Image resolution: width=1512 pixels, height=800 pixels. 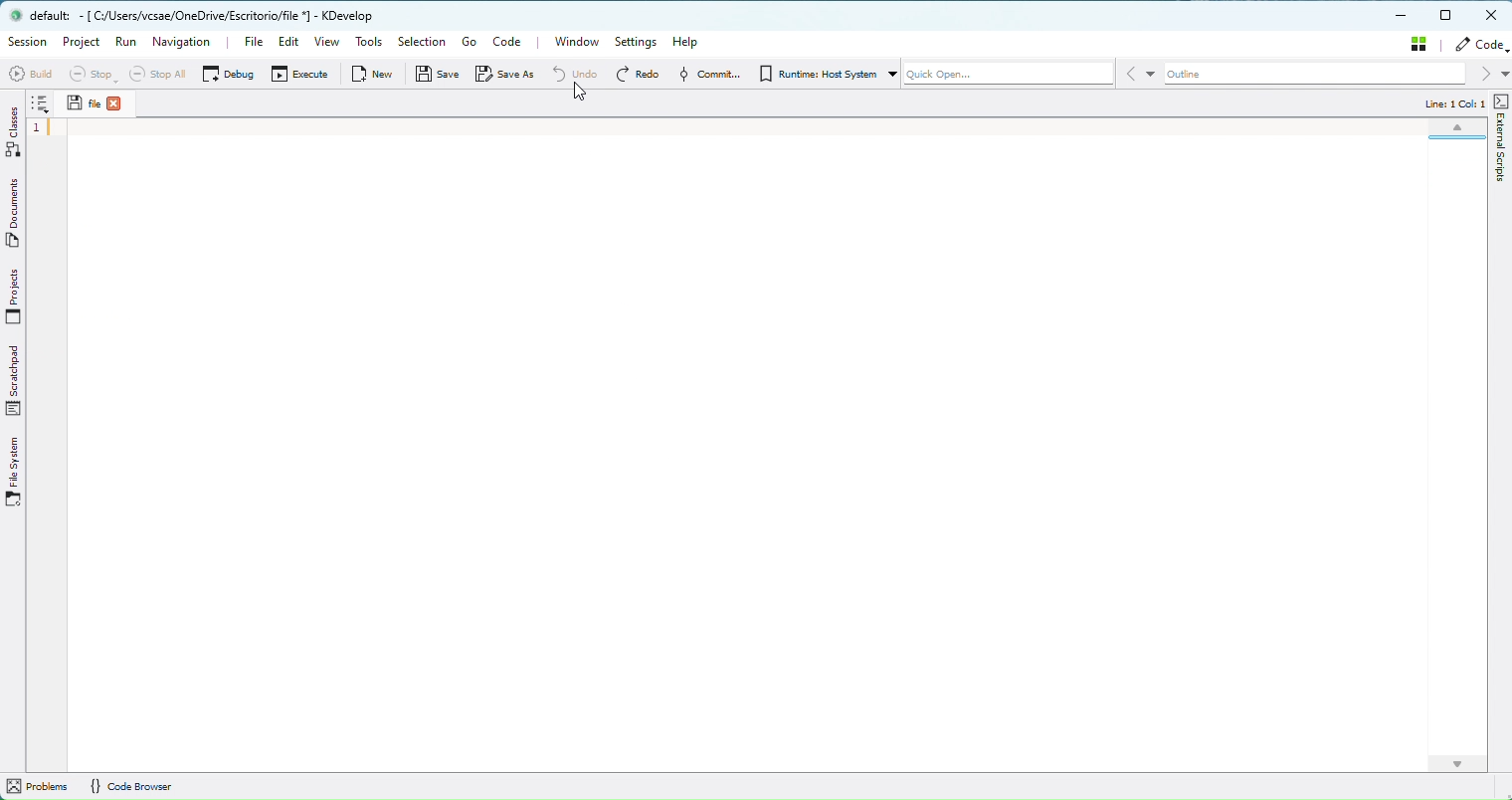 I want to click on Info, so click(x=107, y=787).